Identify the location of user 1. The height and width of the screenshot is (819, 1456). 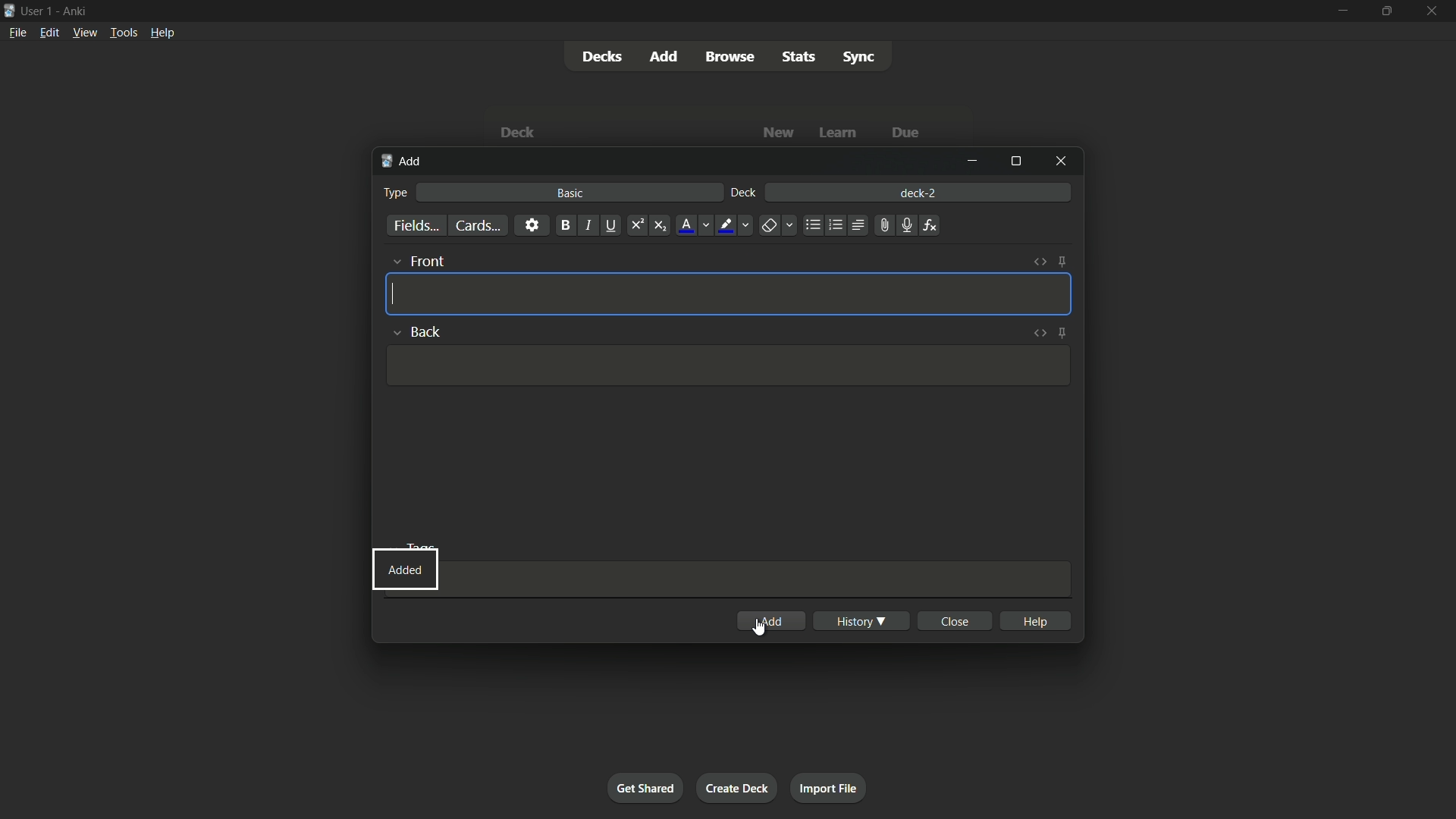
(39, 13).